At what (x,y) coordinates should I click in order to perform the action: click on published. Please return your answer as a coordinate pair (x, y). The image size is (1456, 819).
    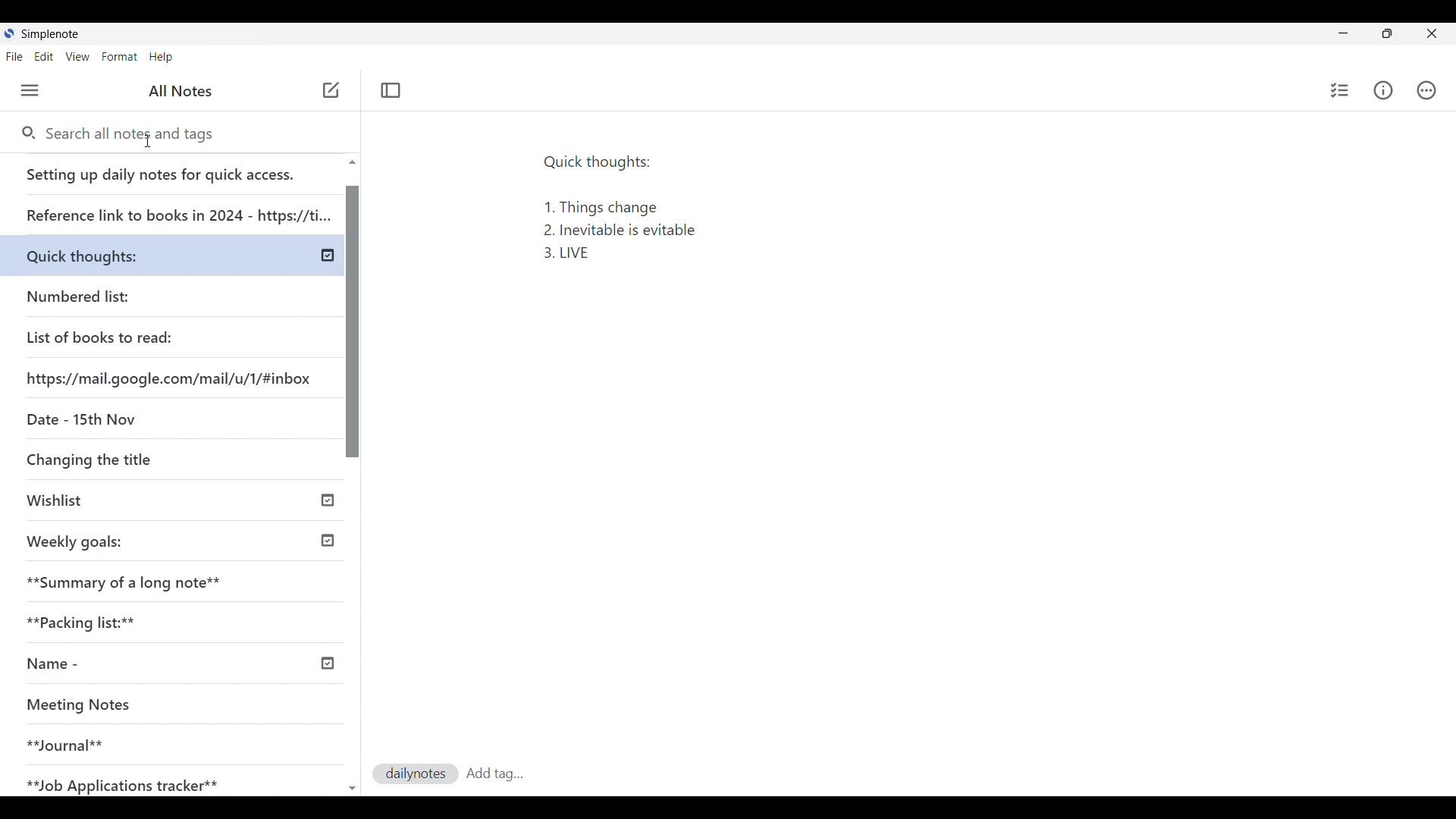
    Looking at the image, I should click on (328, 541).